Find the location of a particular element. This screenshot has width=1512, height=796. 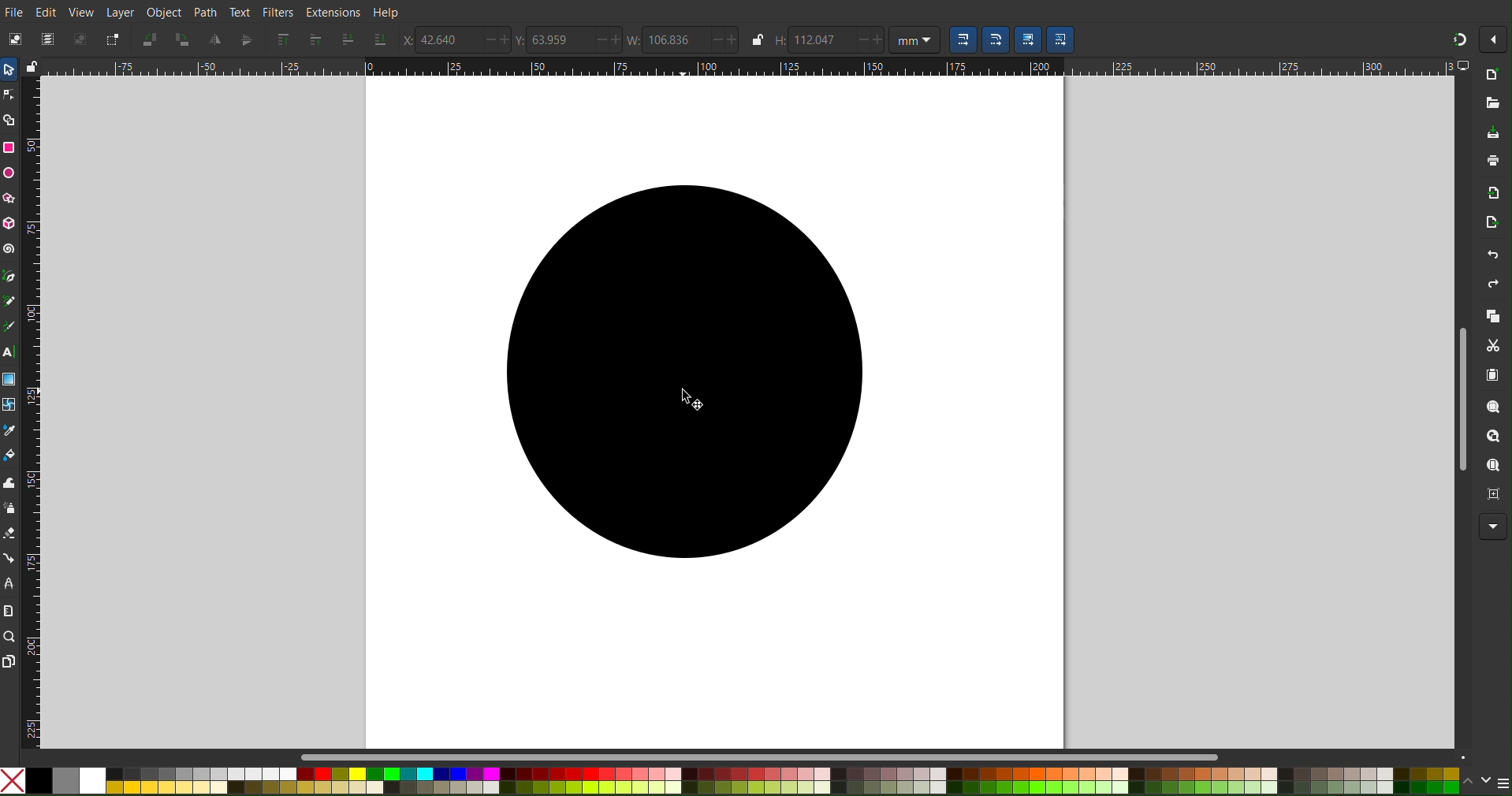

Circle Tool is located at coordinates (10, 173).